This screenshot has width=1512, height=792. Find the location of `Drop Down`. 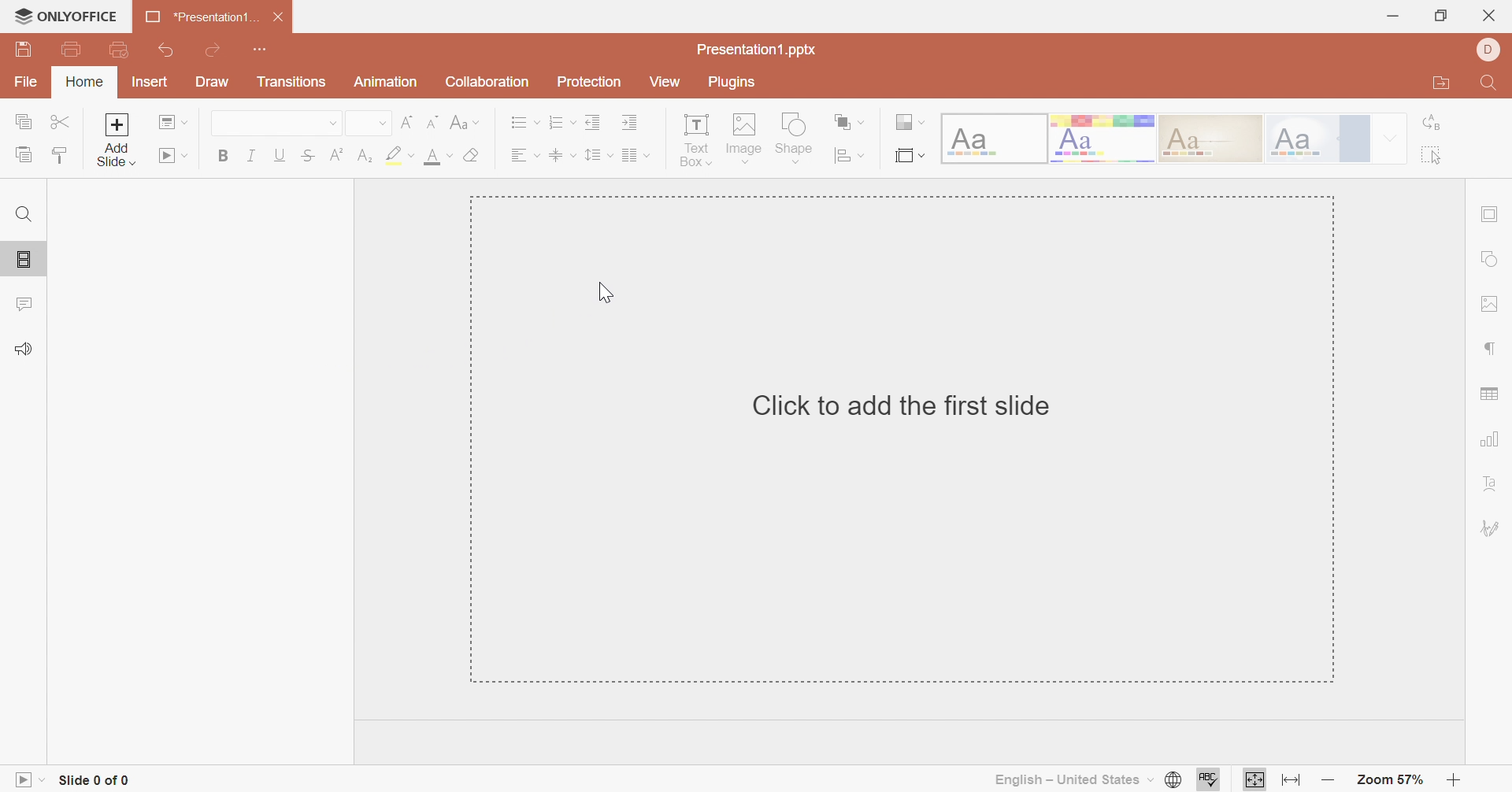

Drop Down is located at coordinates (187, 156).